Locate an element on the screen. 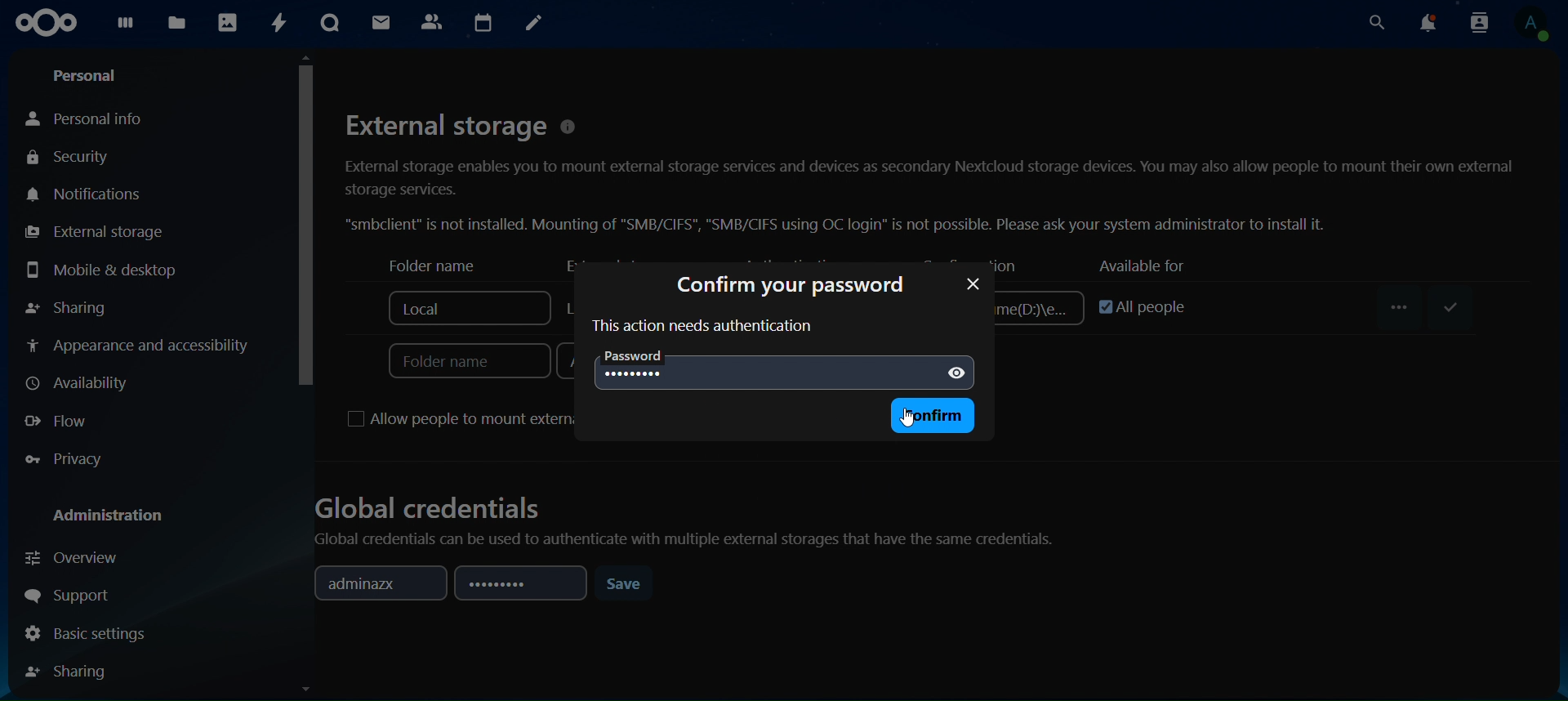 This screenshot has height=701, width=1568. notes is located at coordinates (532, 23).